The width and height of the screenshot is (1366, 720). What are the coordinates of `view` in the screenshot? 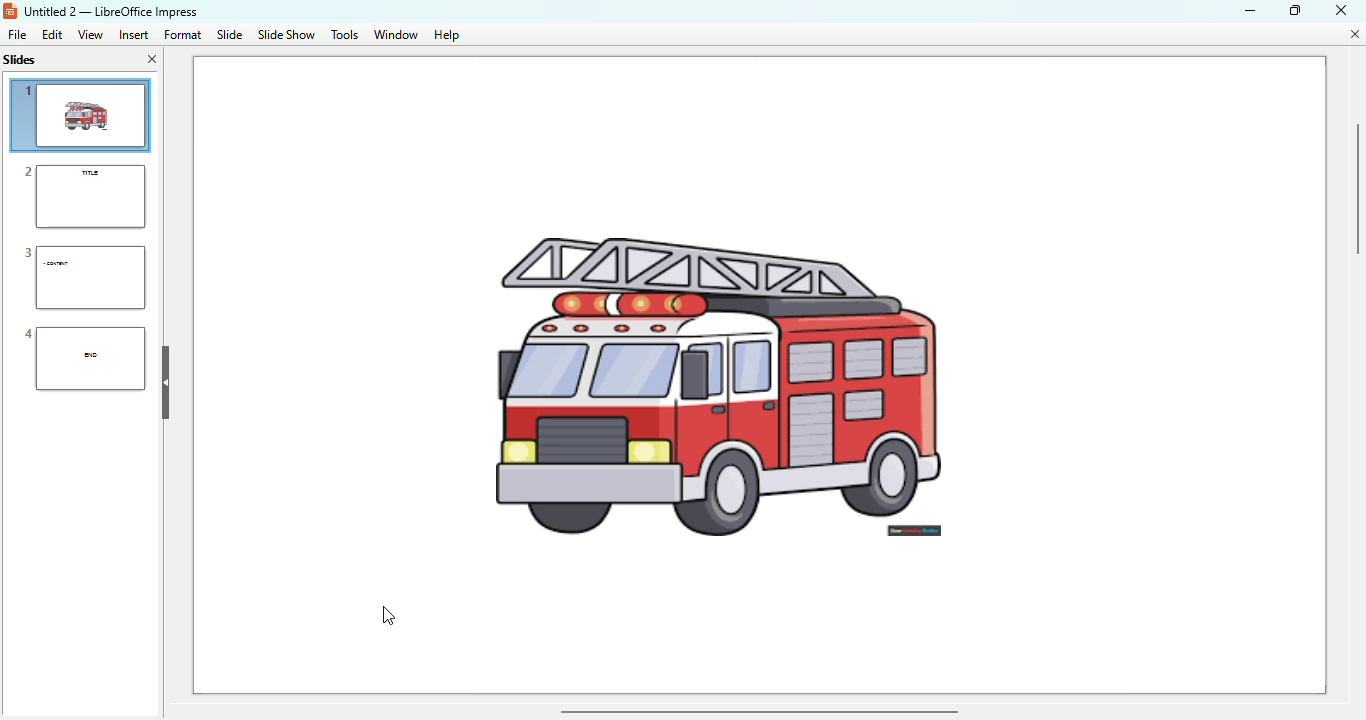 It's located at (90, 34).